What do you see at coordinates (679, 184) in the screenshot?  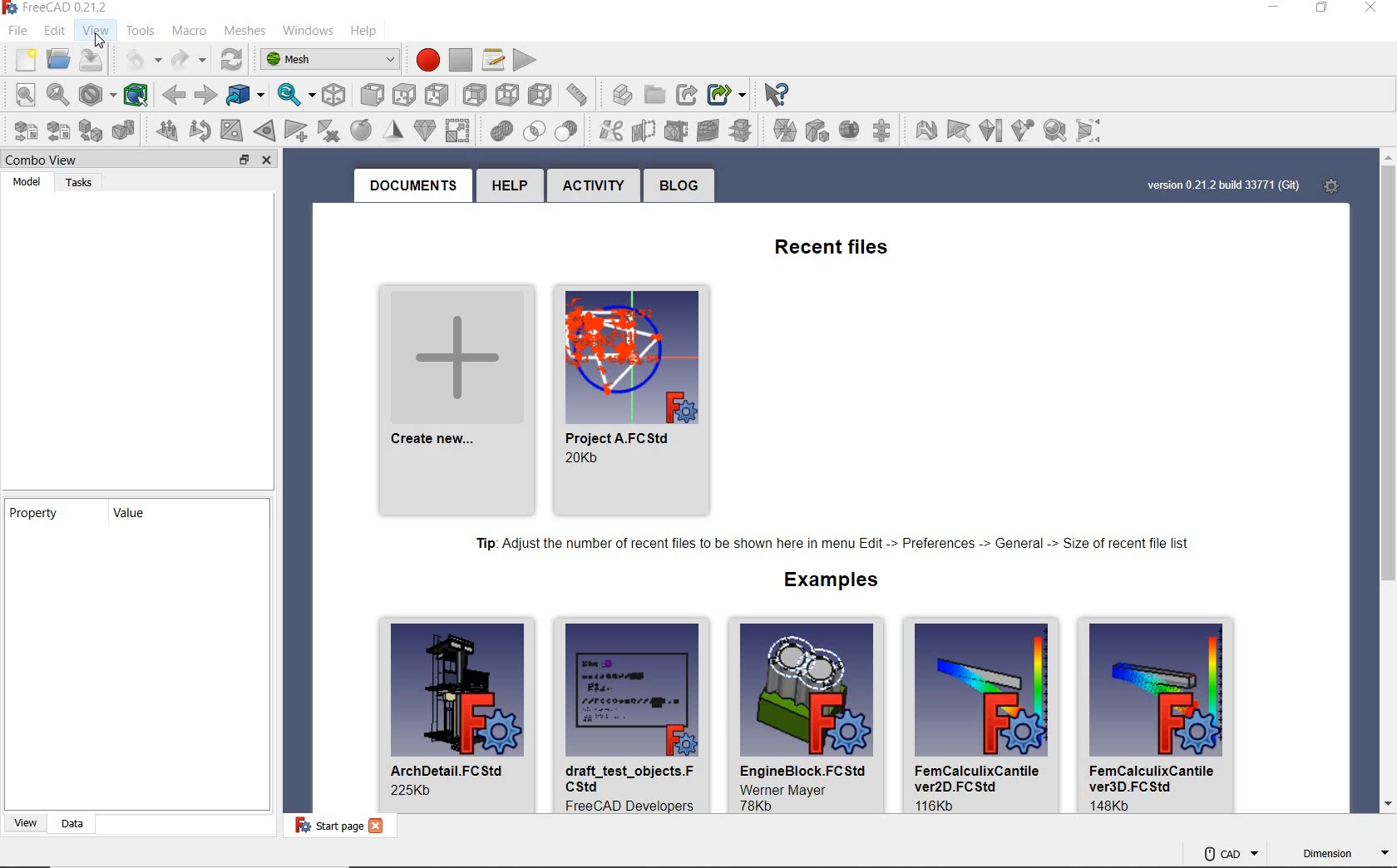 I see `blog` at bounding box center [679, 184].